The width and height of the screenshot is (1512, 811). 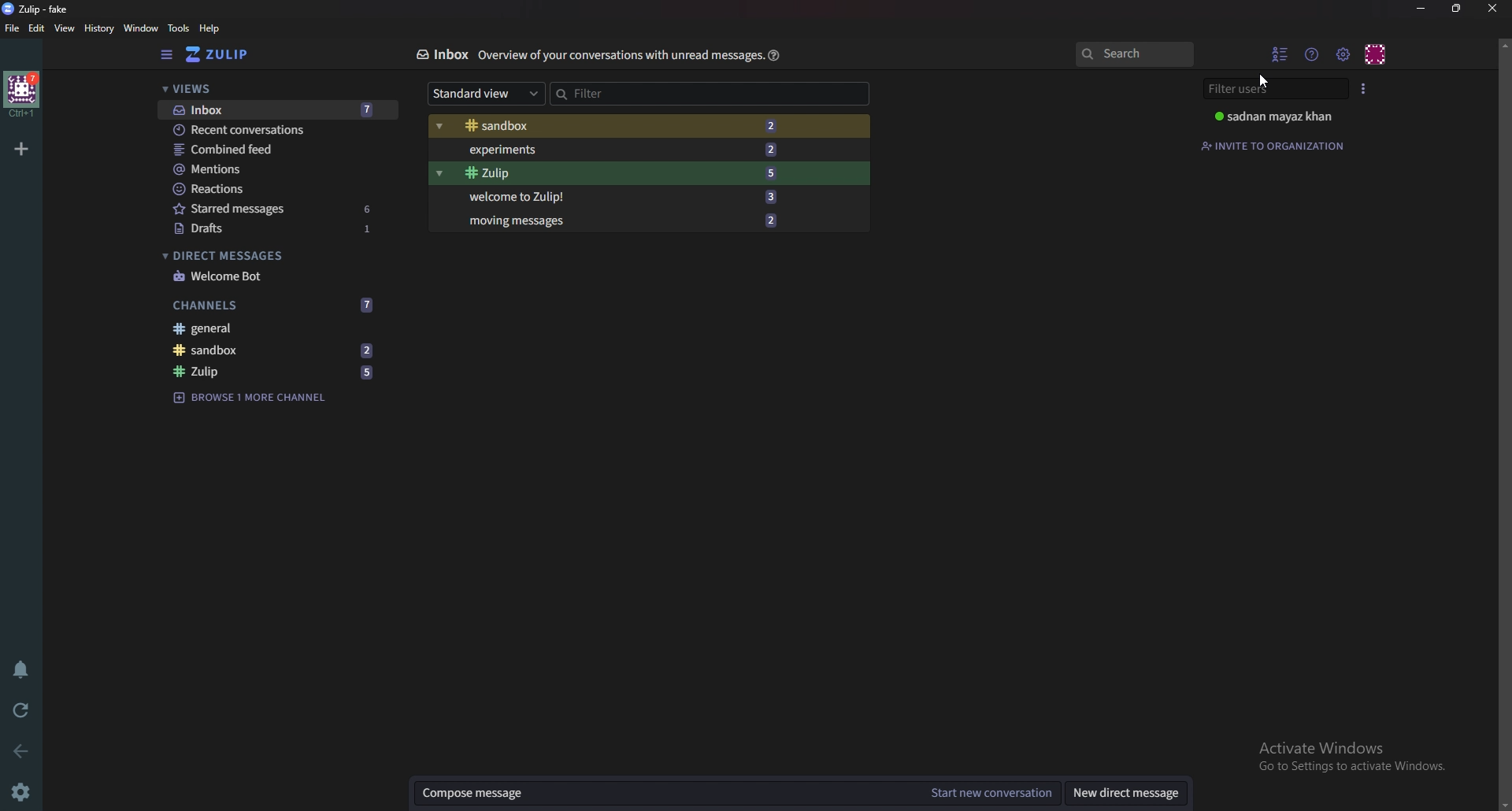 I want to click on Channels, so click(x=275, y=305).